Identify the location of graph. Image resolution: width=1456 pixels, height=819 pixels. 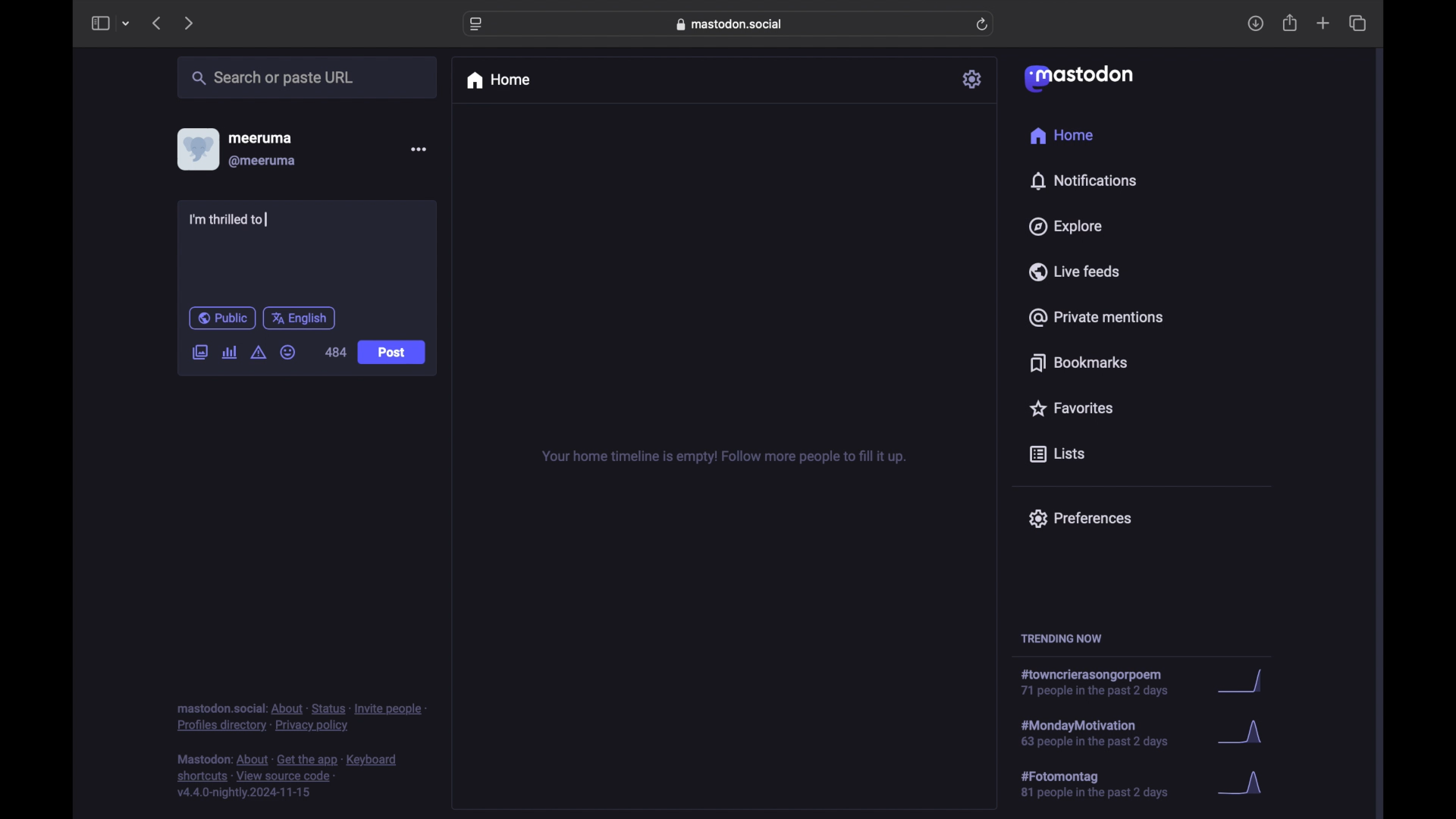
(1244, 734).